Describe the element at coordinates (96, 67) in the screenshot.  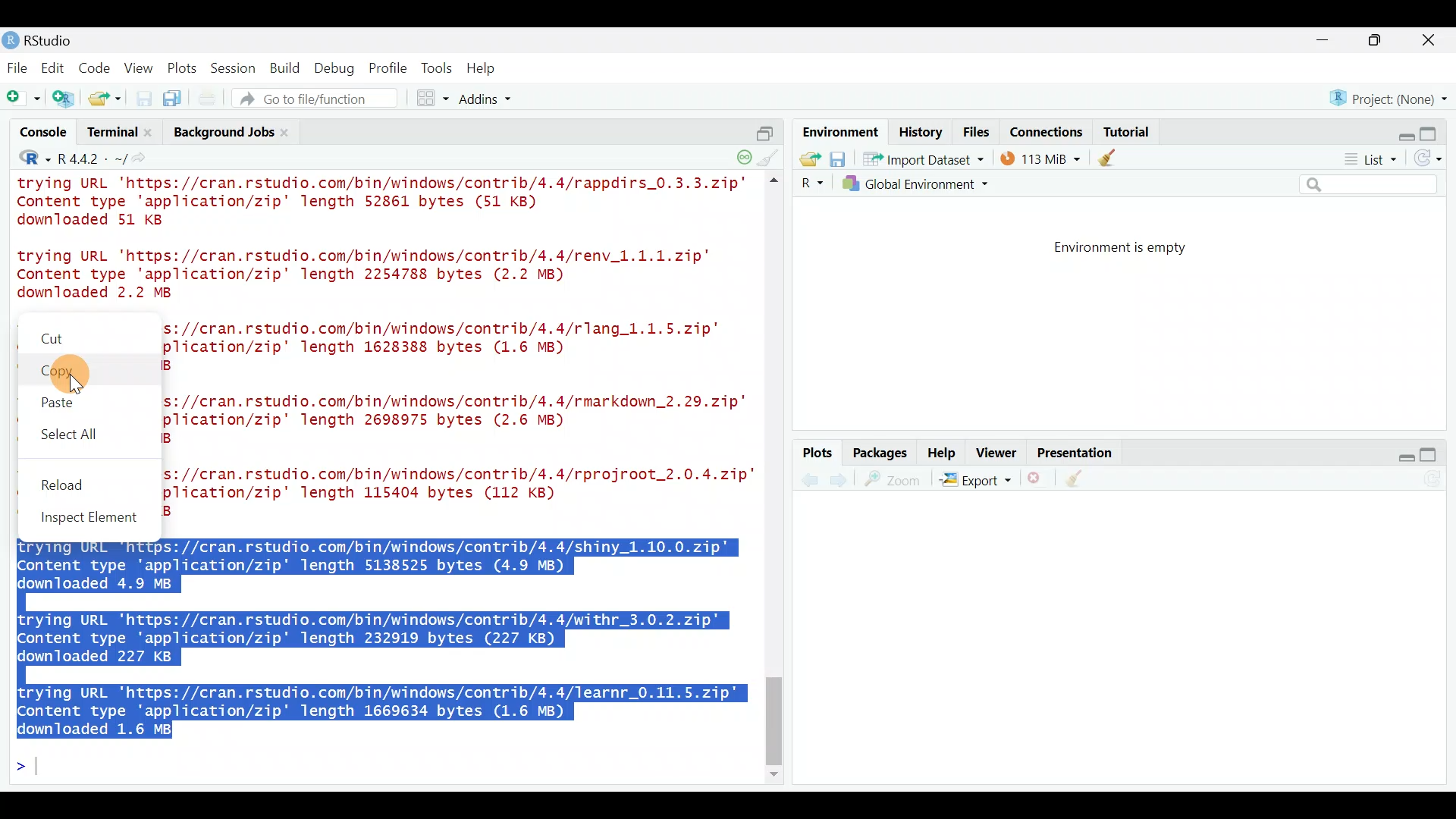
I see `Code` at that location.